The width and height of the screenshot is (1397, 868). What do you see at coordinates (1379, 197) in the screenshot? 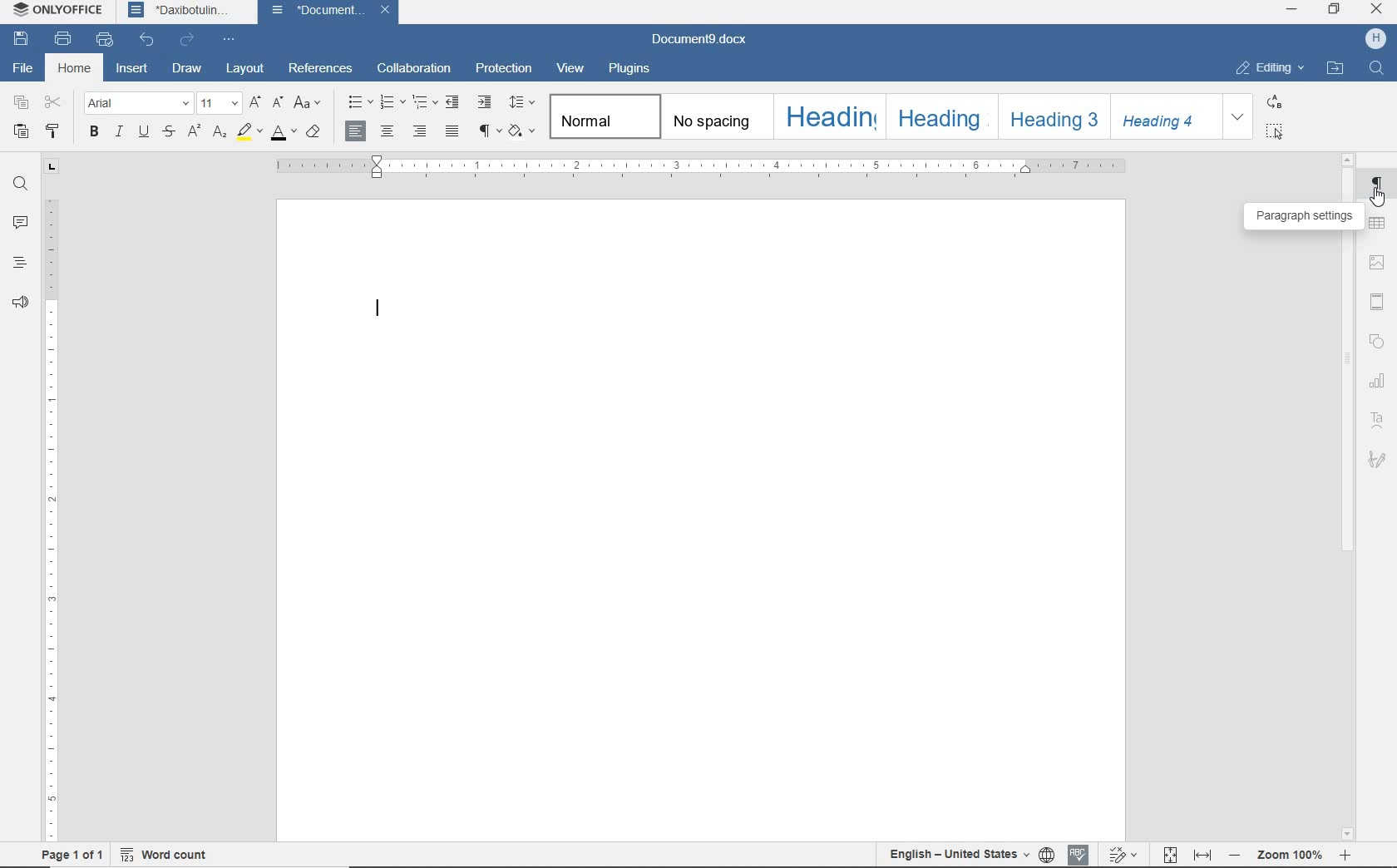
I see `cursor` at bounding box center [1379, 197].